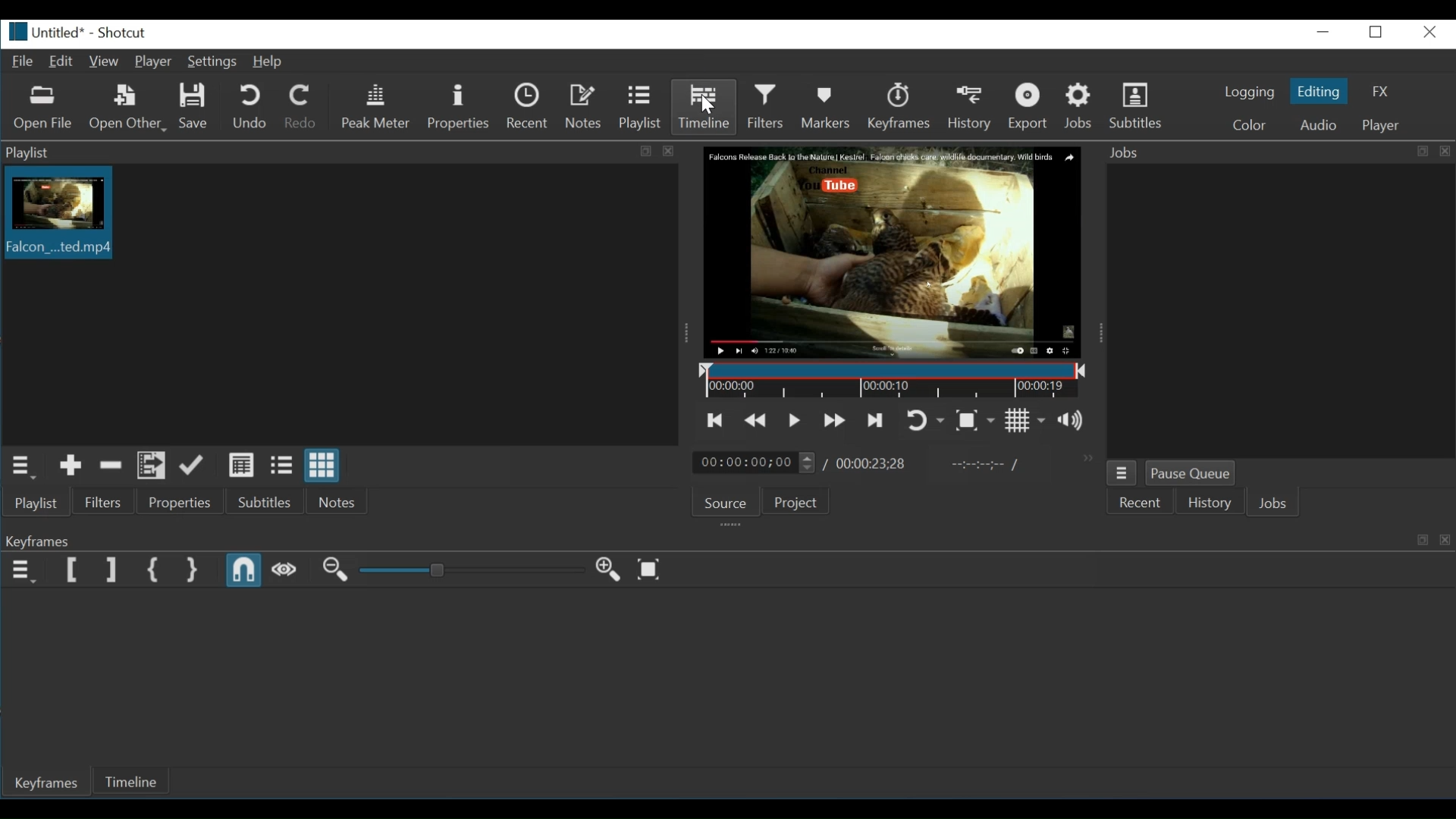 Image resolution: width=1456 pixels, height=819 pixels. What do you see at coordinates (973, 106) in the screenshot?
I see `History` at bounding box center [973, 106].